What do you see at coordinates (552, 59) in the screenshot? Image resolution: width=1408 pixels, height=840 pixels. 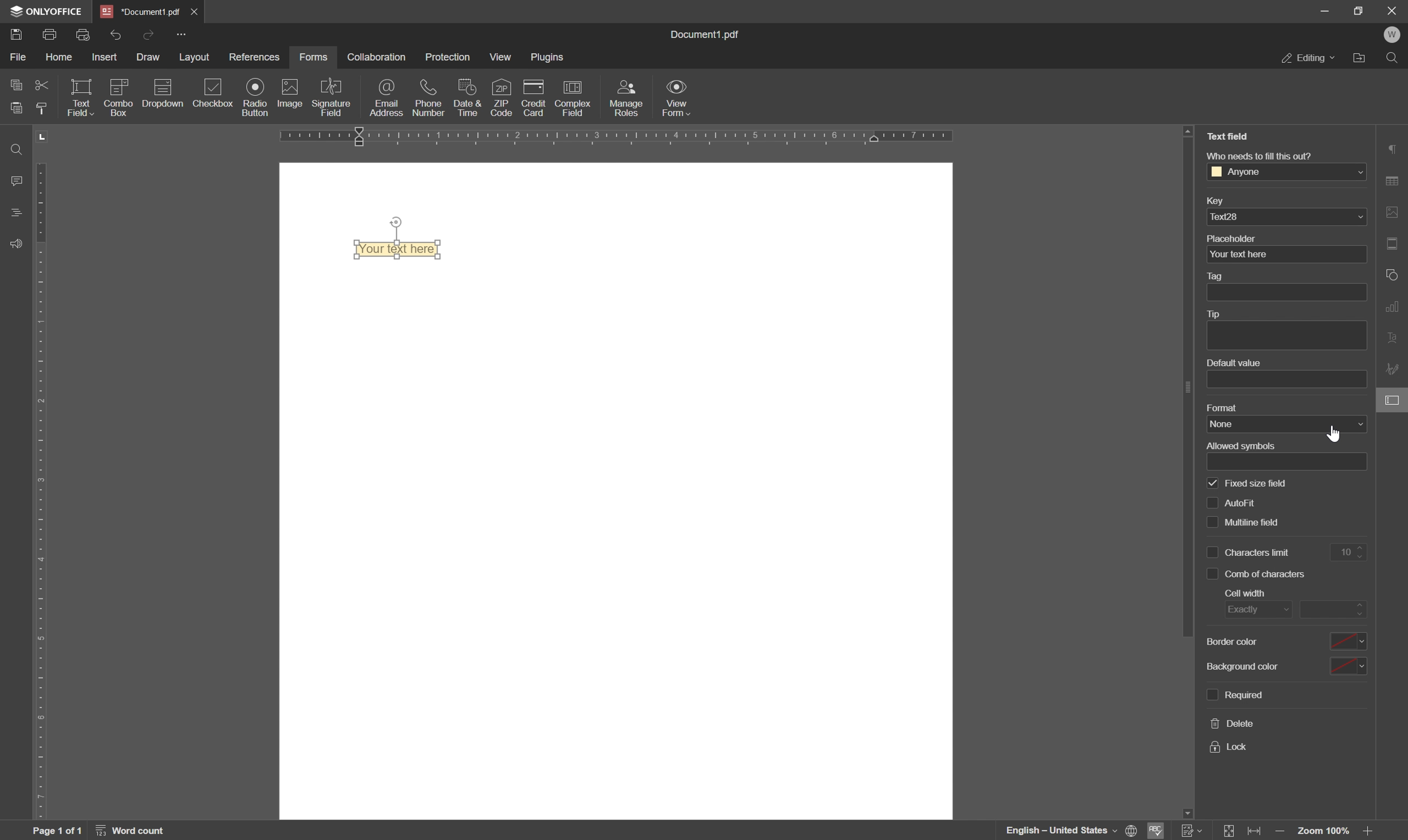 I see `plugins` at bounding box center [552, 59].